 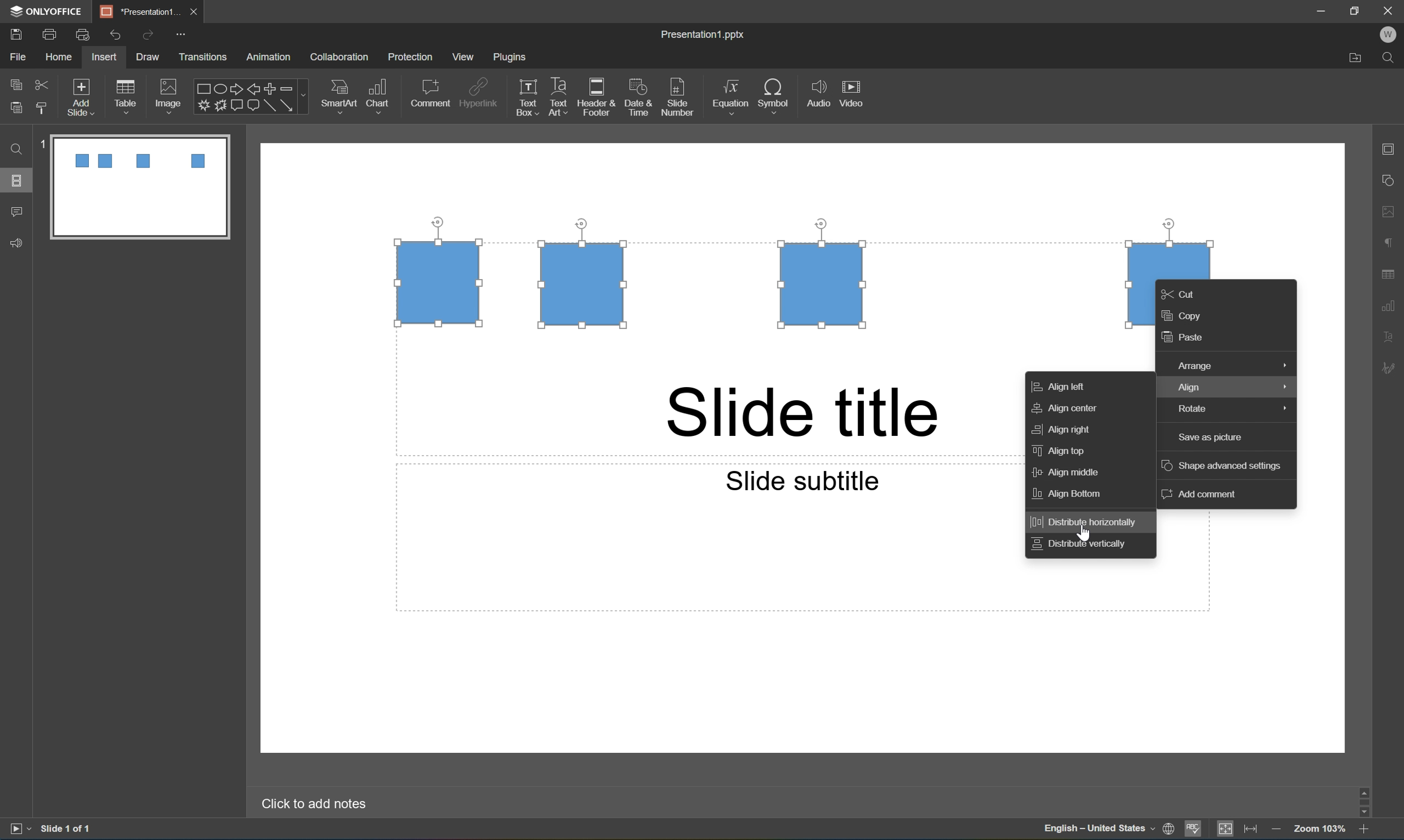 What do you see at coordinates (1224, 466) in the screenshot?
I see `shape advanced settings` at bounding box center [1224, 466].